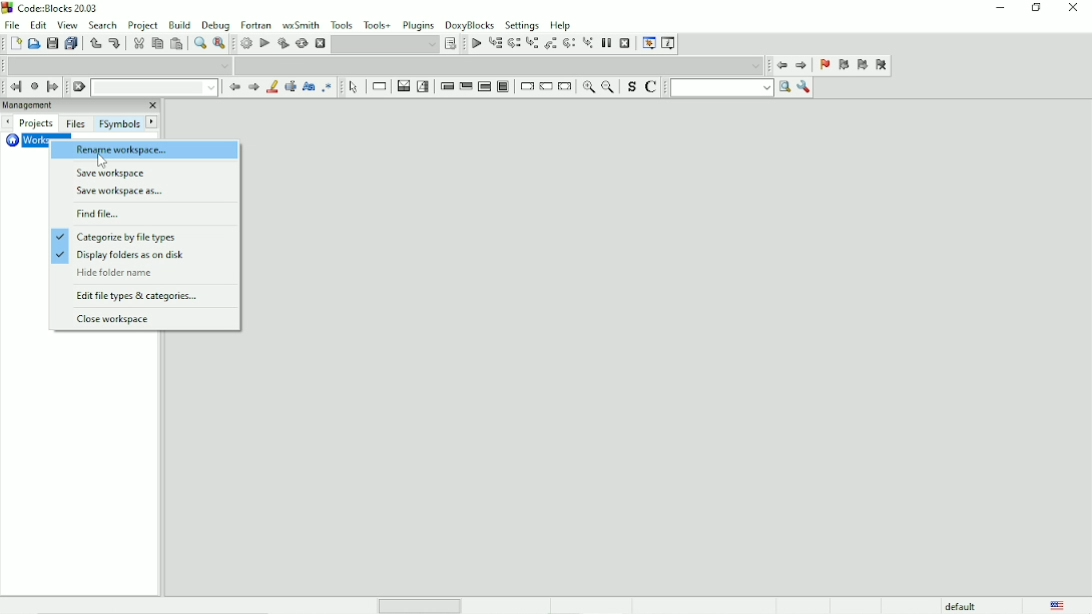 The image size is (1092, 614). I want to click on Rename workspace, so click(144, 150).